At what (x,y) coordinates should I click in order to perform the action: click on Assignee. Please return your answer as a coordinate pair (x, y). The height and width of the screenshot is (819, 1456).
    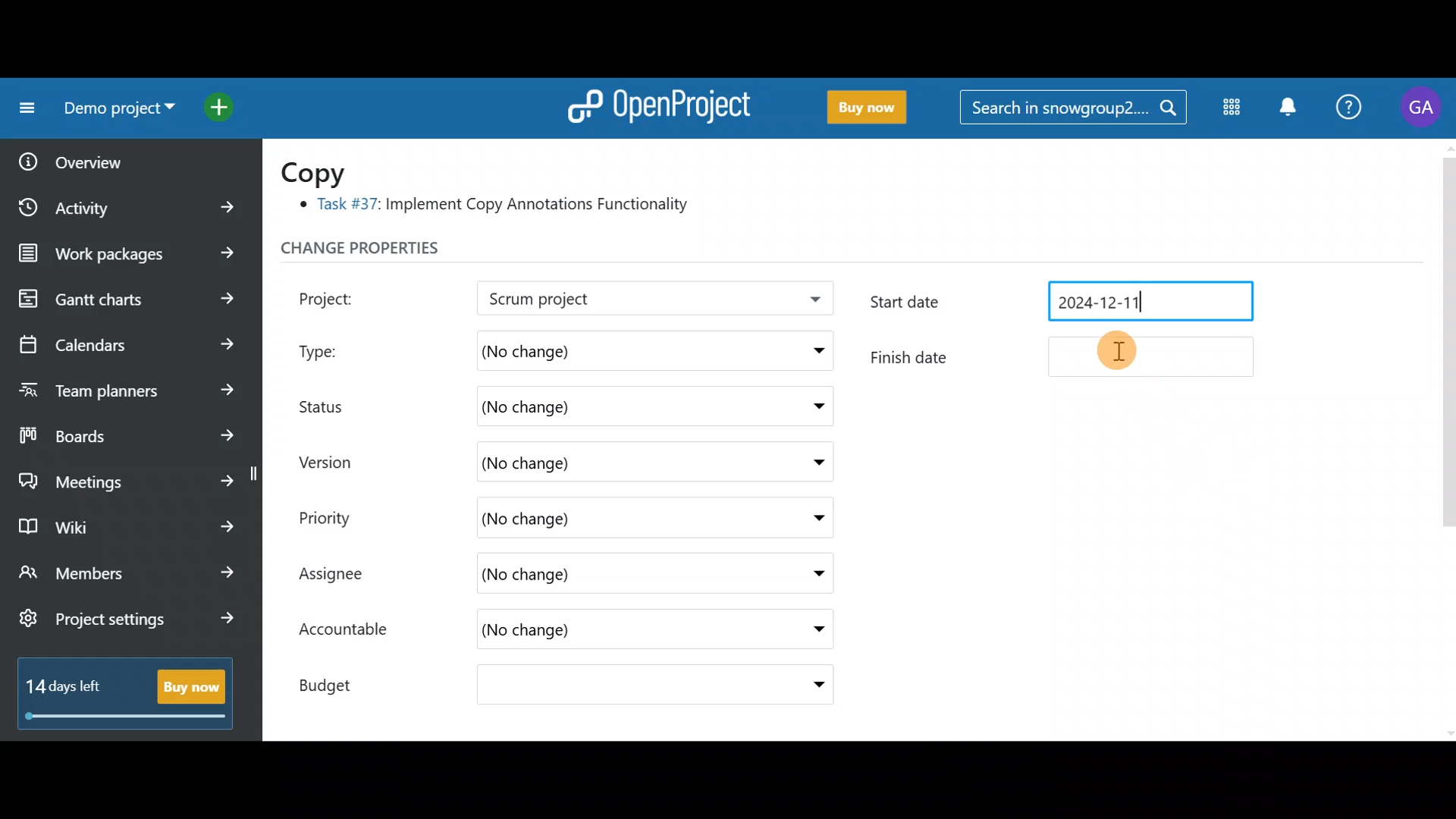
    Looking at the image, I should click on (346, 576).